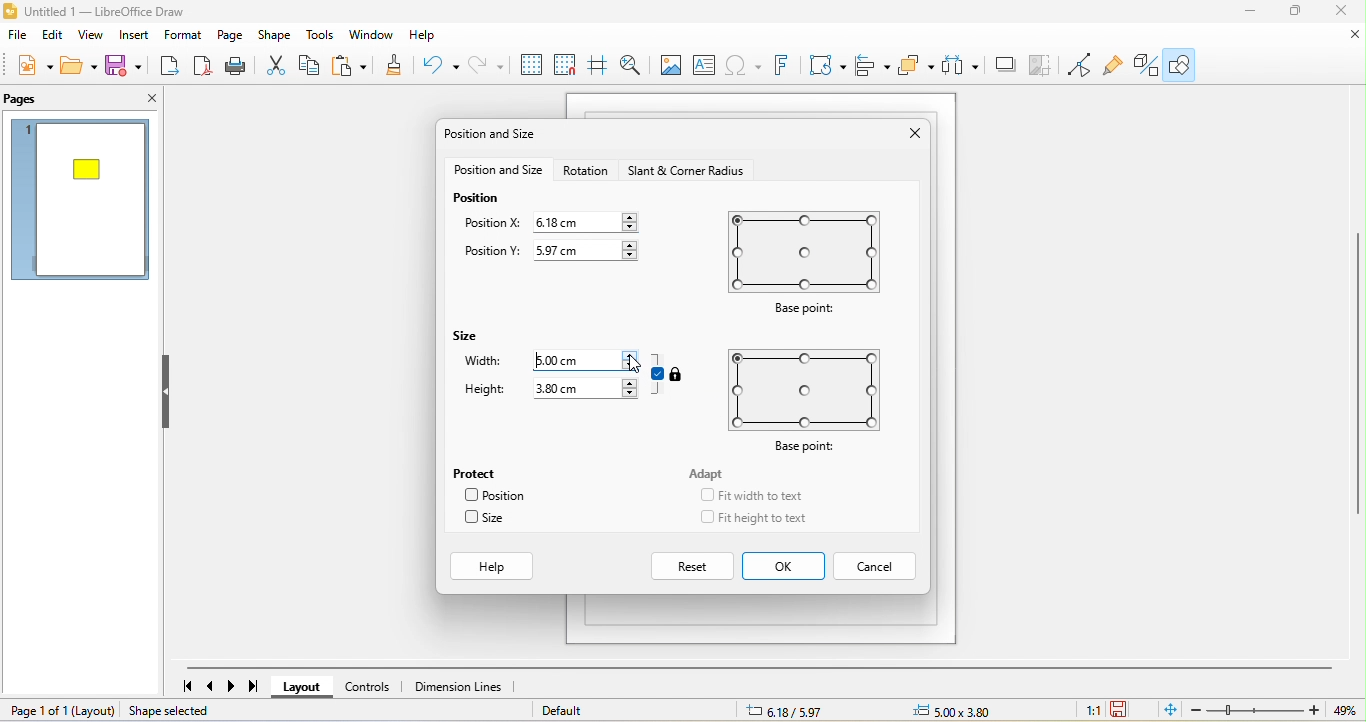  I want to click on shape, so click(273, 37).